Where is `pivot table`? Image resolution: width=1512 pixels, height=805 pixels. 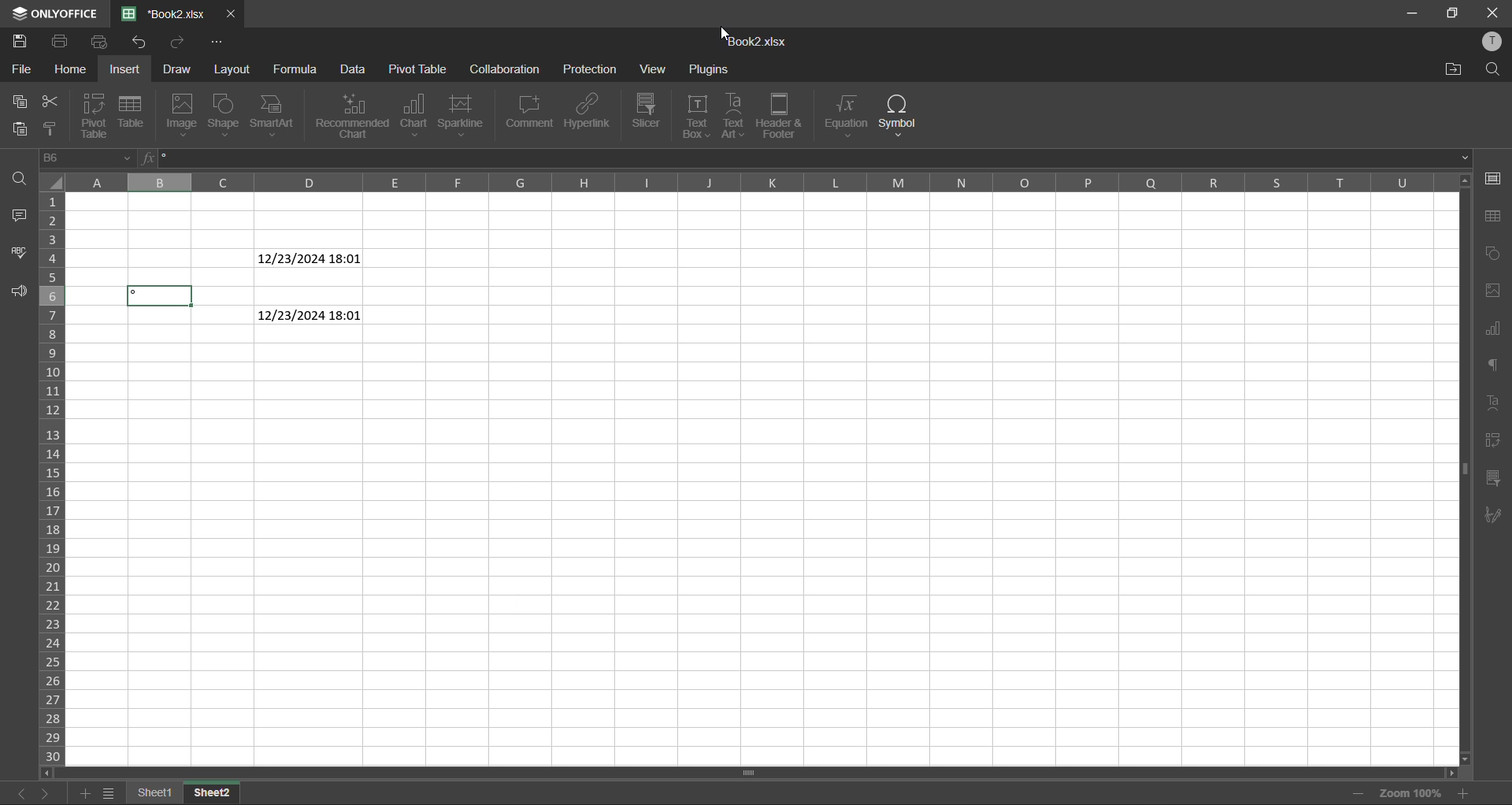 pivot table is located at coordinates (421, 69).